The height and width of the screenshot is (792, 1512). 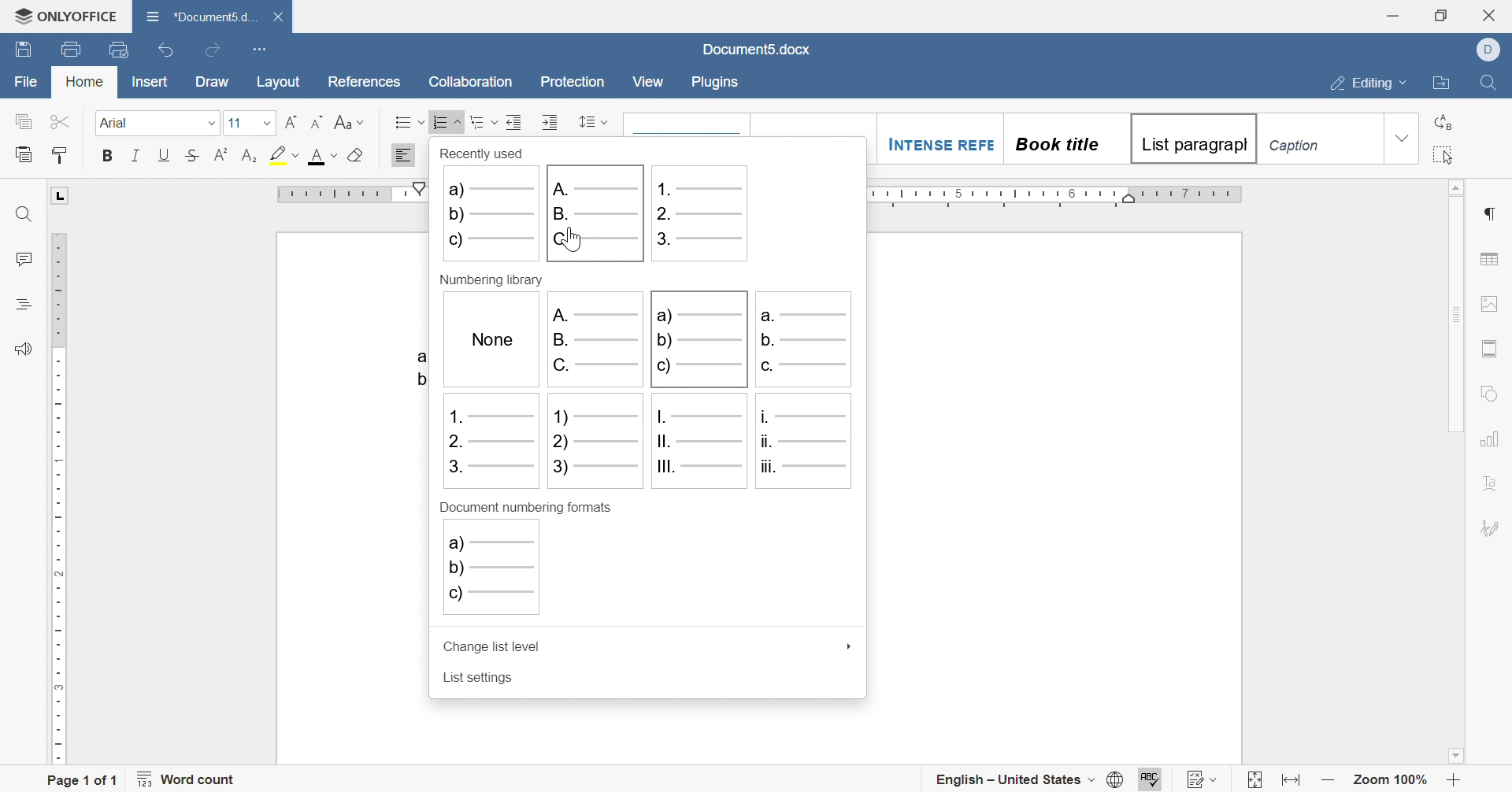 I want to click on drop down, so click(x=267, y=121).